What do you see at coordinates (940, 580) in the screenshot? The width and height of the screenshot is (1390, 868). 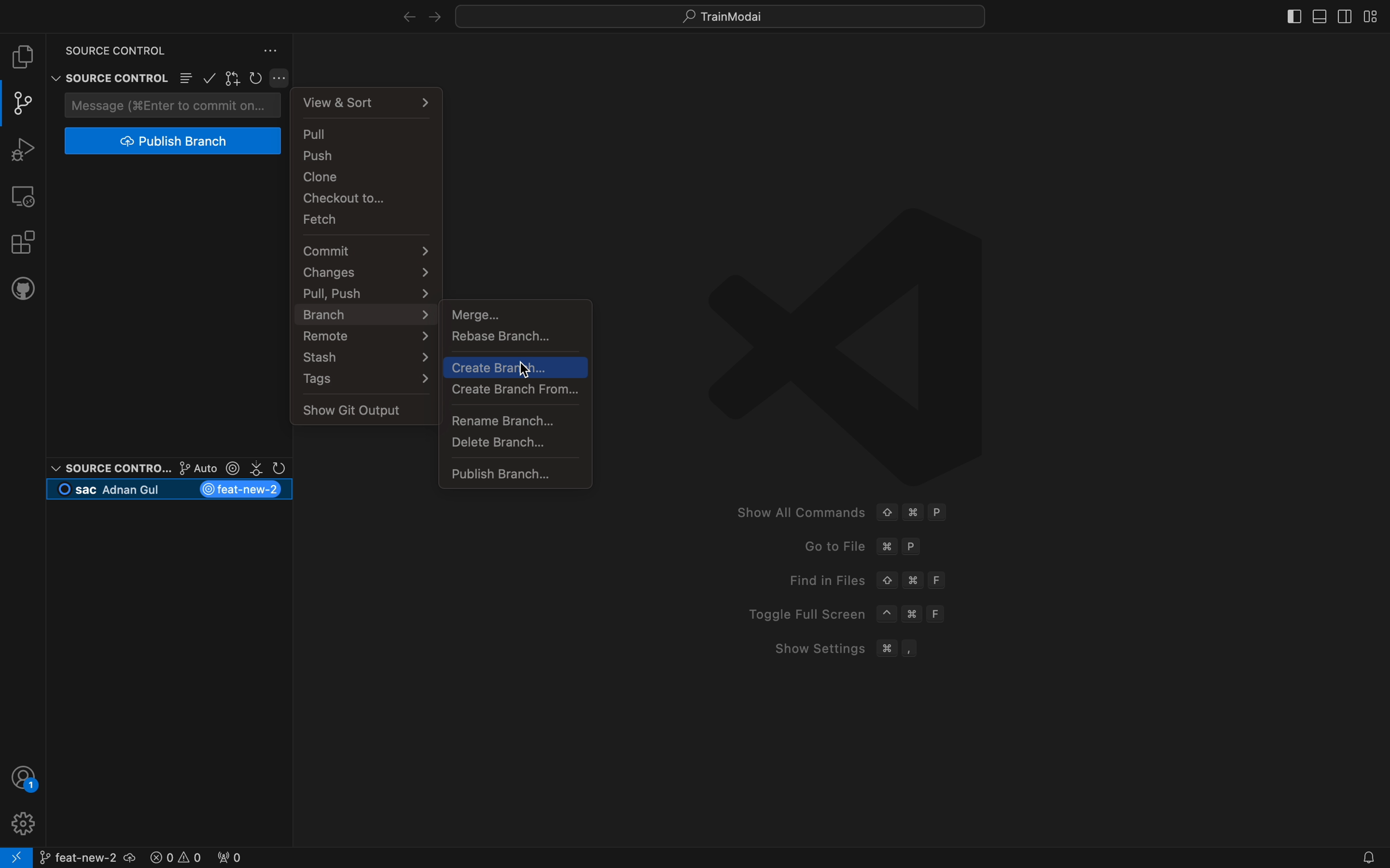 I see `F` at bounding box center [940, 580].